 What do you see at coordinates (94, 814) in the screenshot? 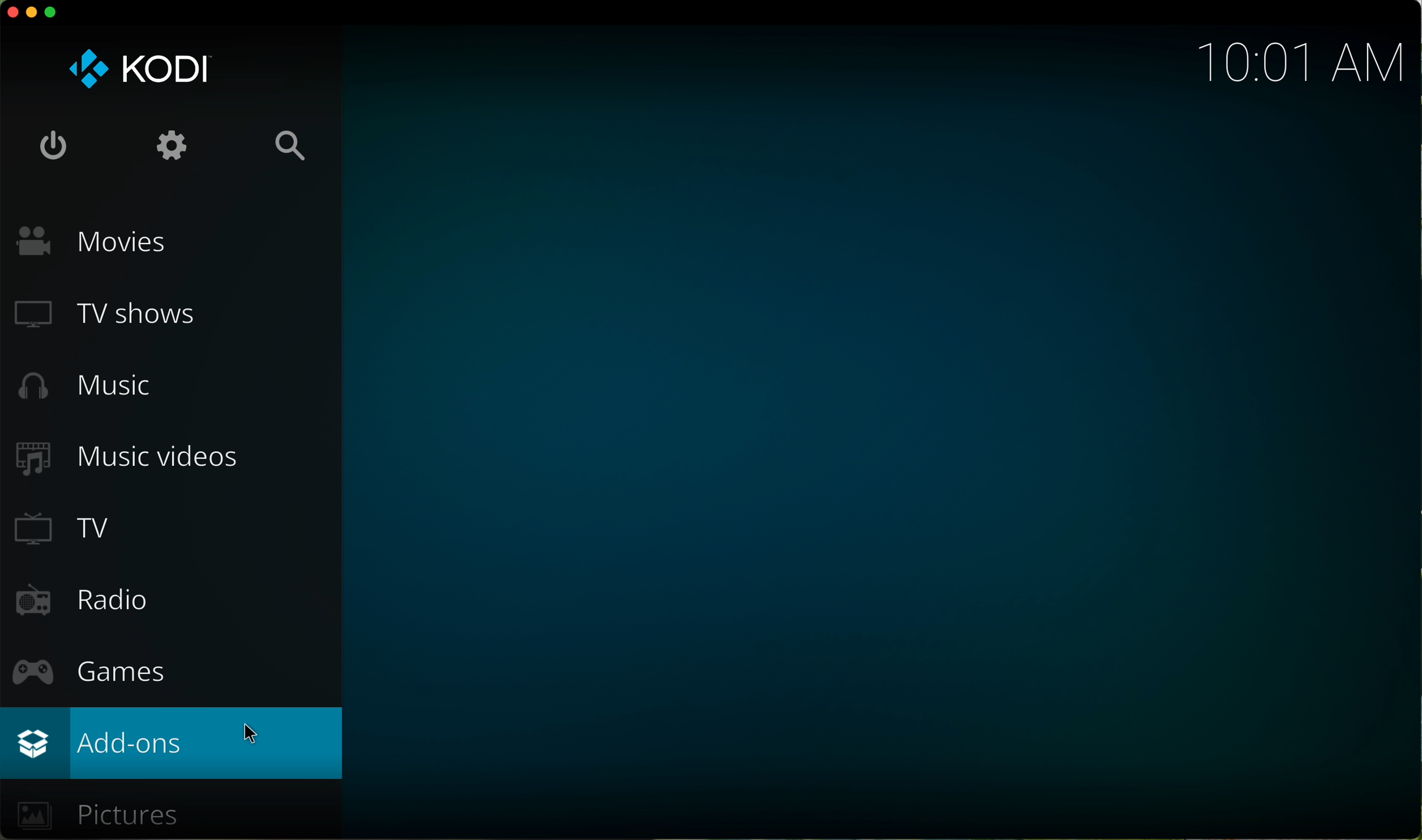
I see `pictures` at bounding box center [94, 814].